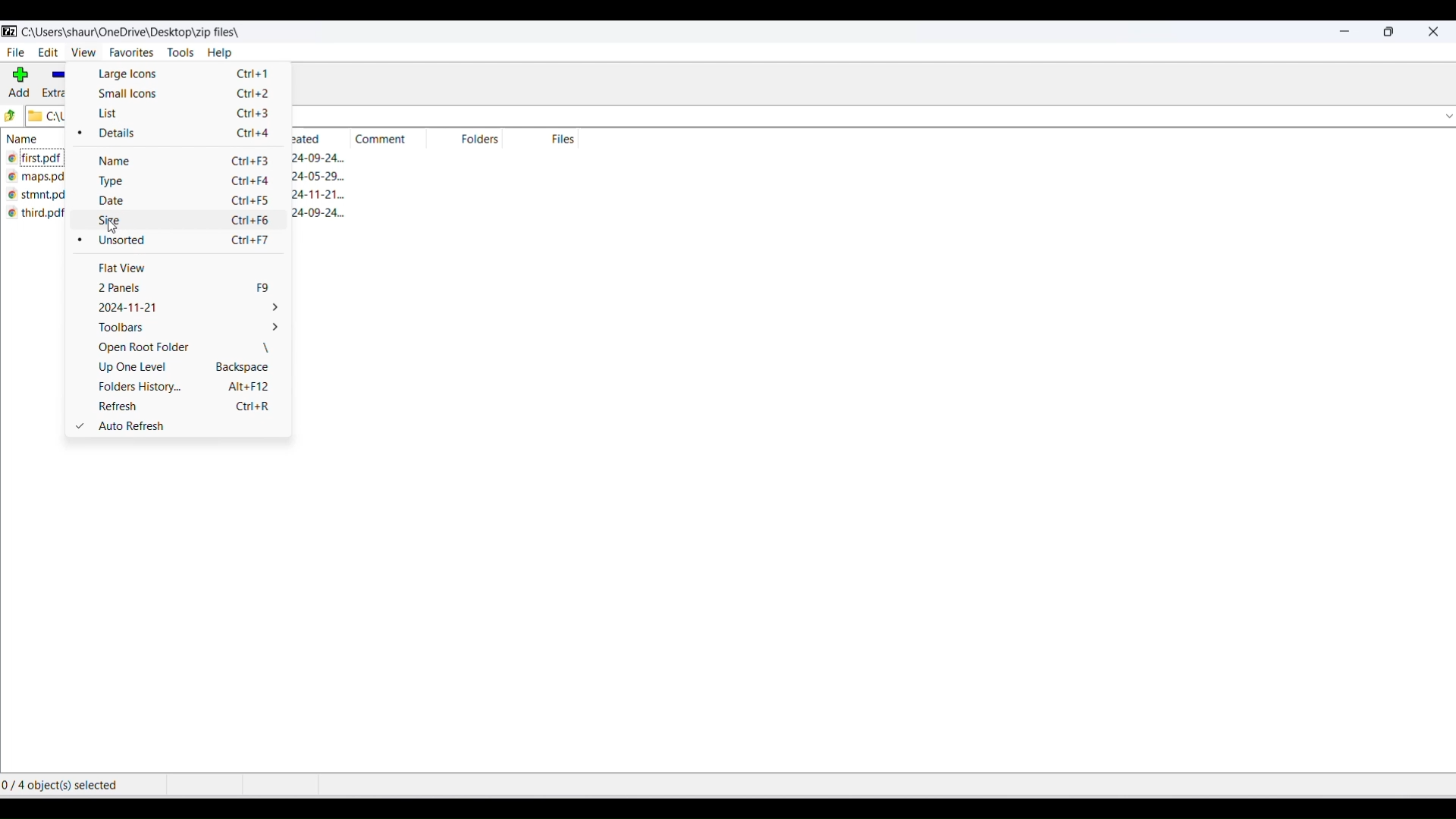 The height and width of the screenshot is (819, 1456). What do you see at coordinates (182, 136) in the screenshot?
I see `details` at bounding box center [182, 136].